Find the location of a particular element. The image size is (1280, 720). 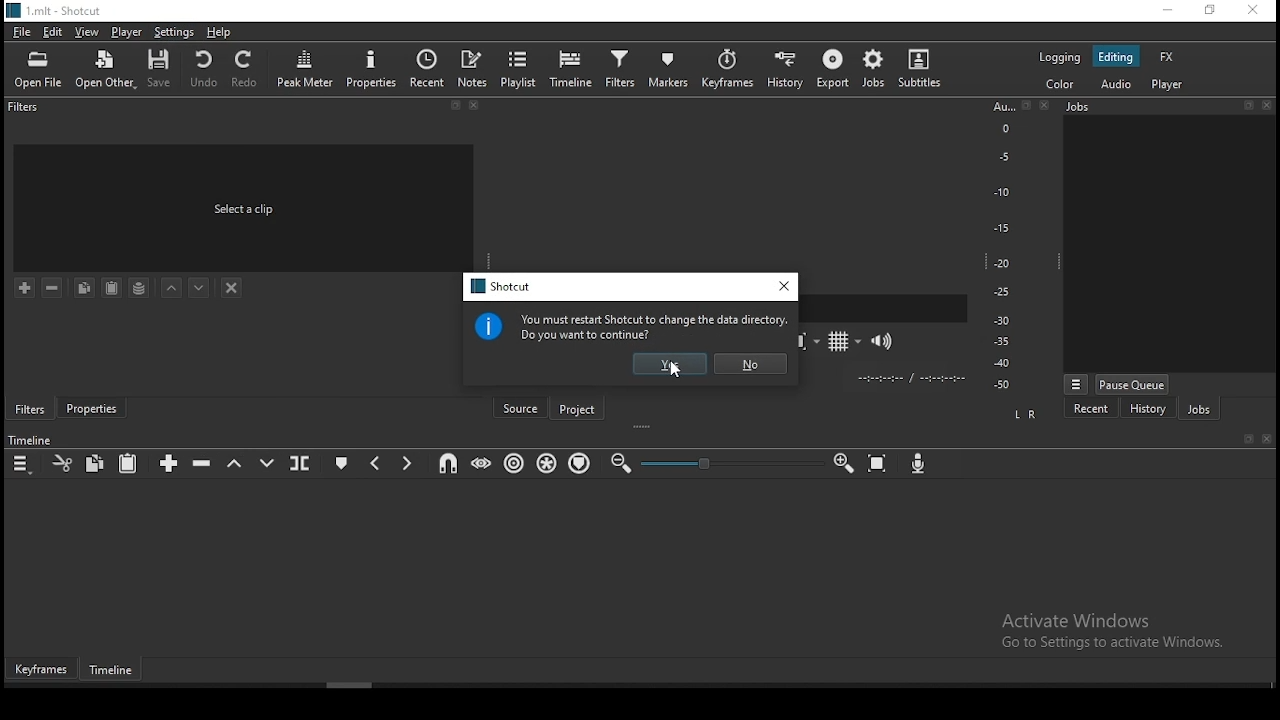

color is located at coordinates (1057, 85).